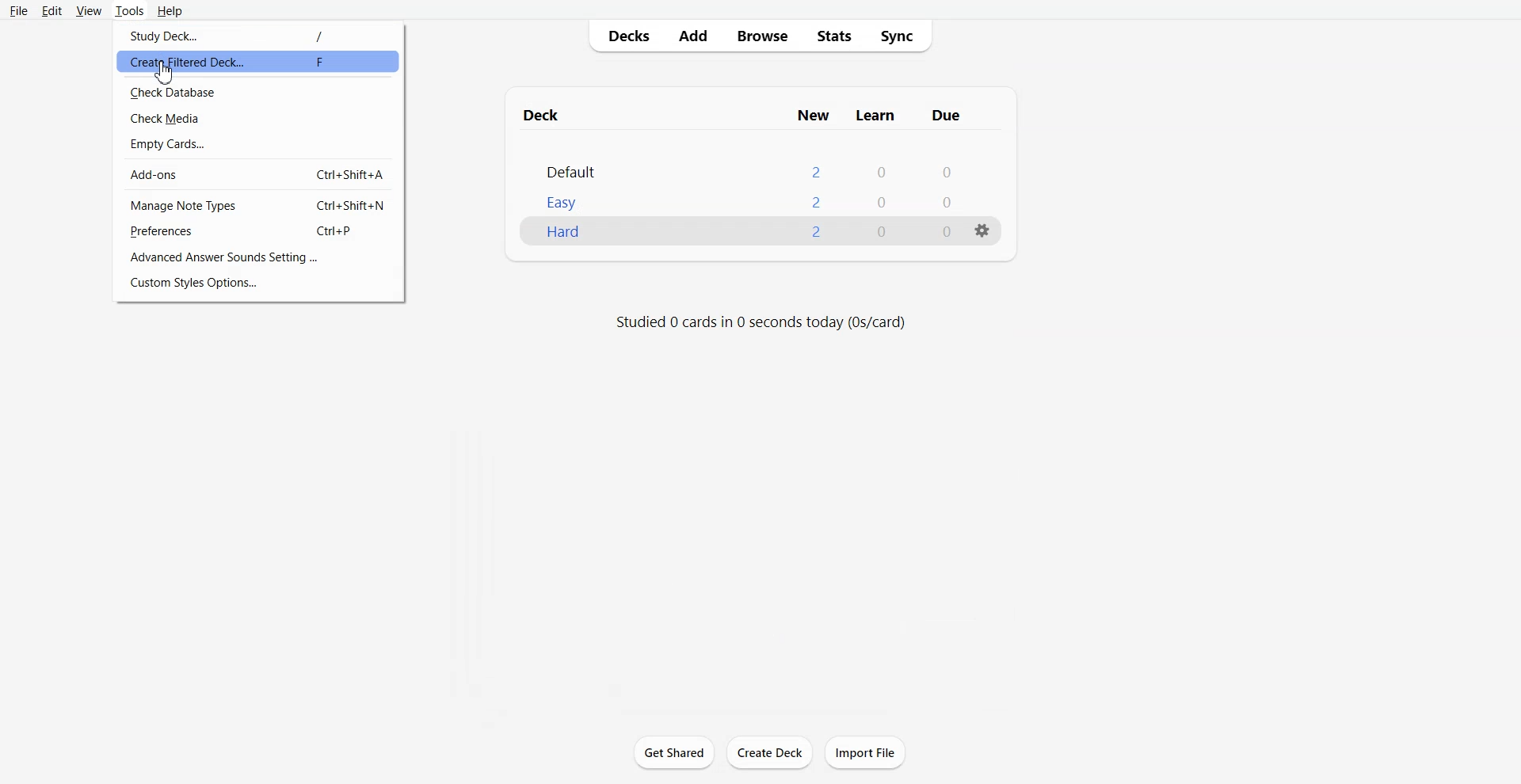 The height and width of the screenshot is (784, 1521). I want to click on Add-ons, so click(259, 173).